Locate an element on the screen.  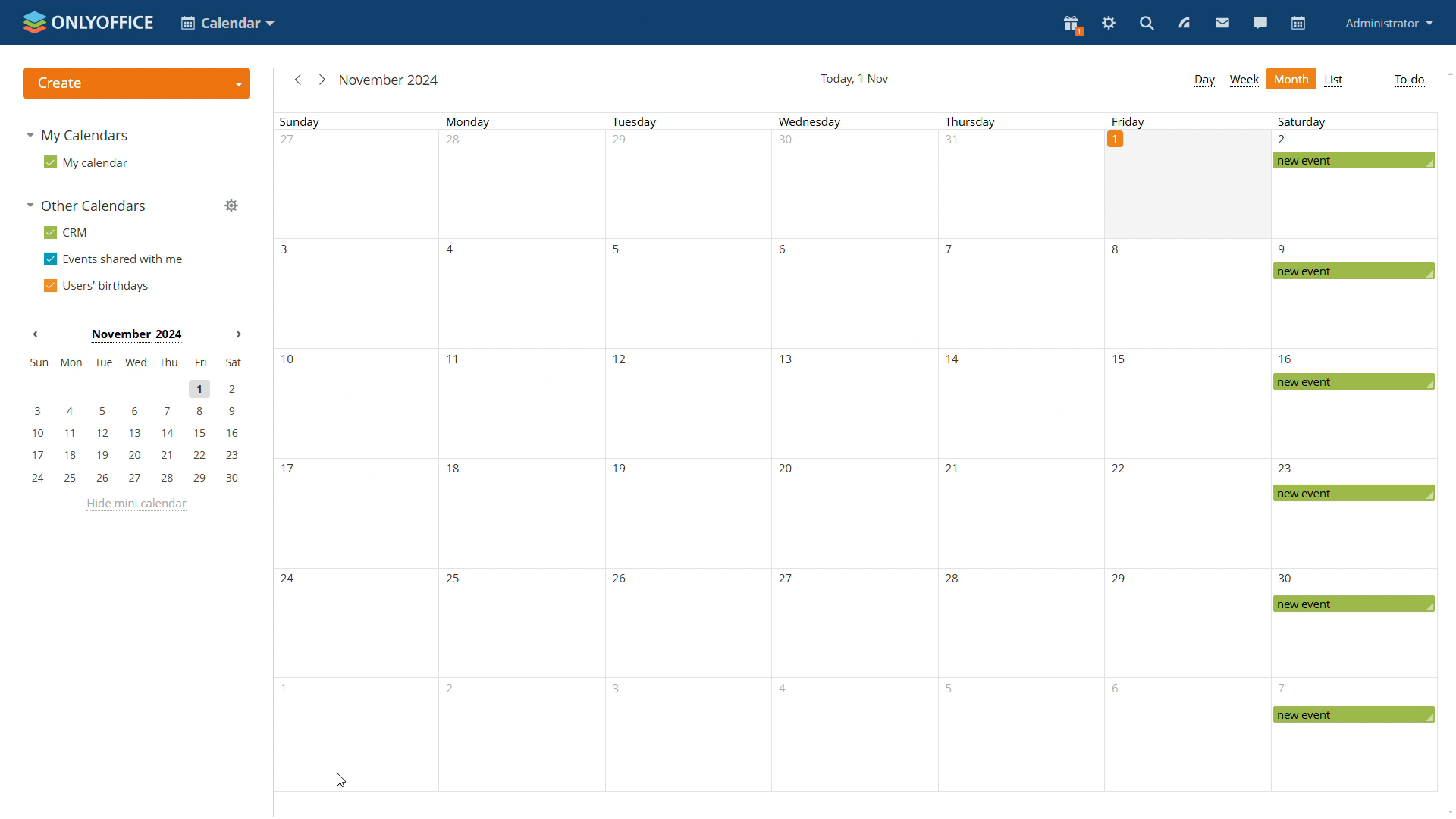
Next month is located at coordinates (238, 334).